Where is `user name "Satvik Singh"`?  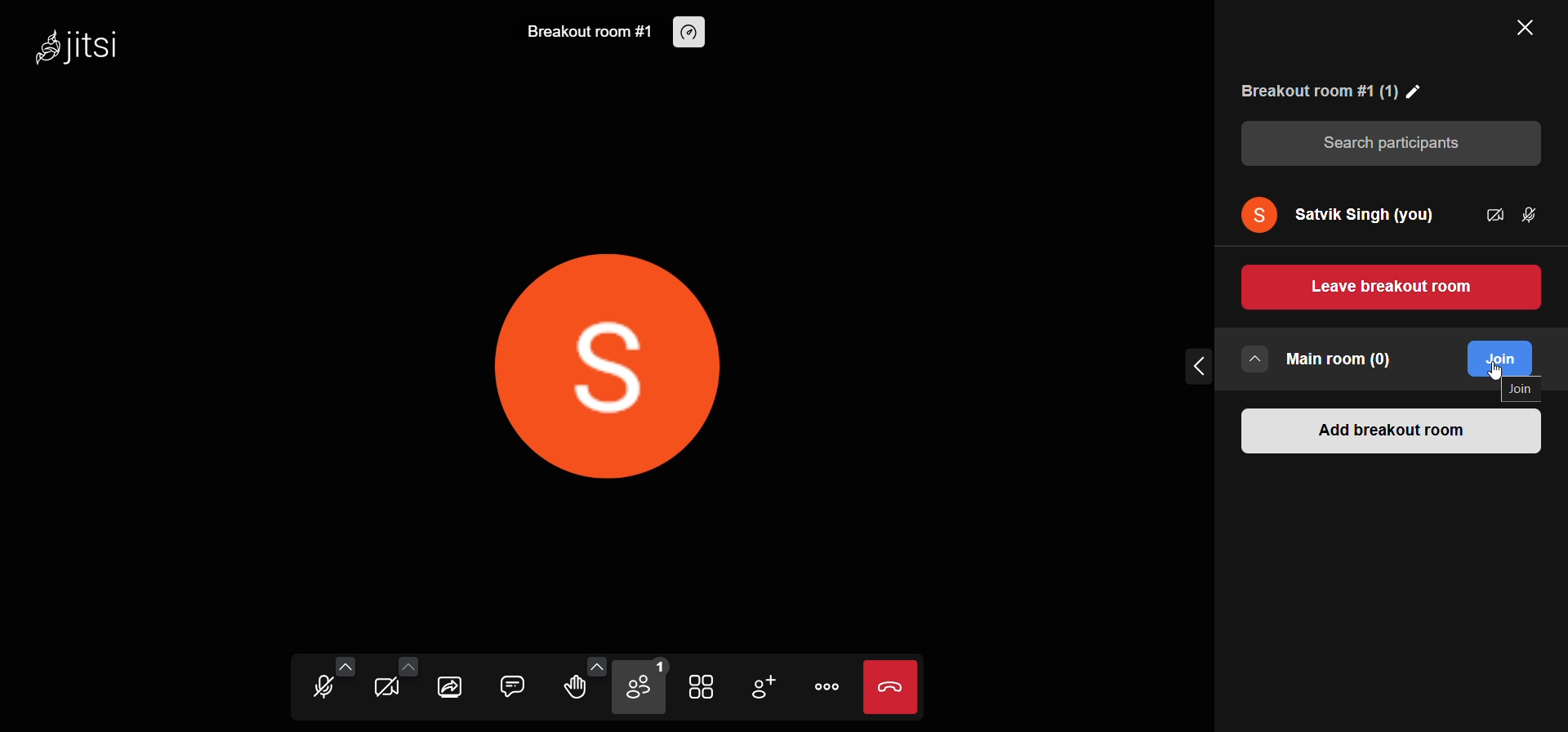 user name "Satvik Singh" is located at coordinates (1367, 213).